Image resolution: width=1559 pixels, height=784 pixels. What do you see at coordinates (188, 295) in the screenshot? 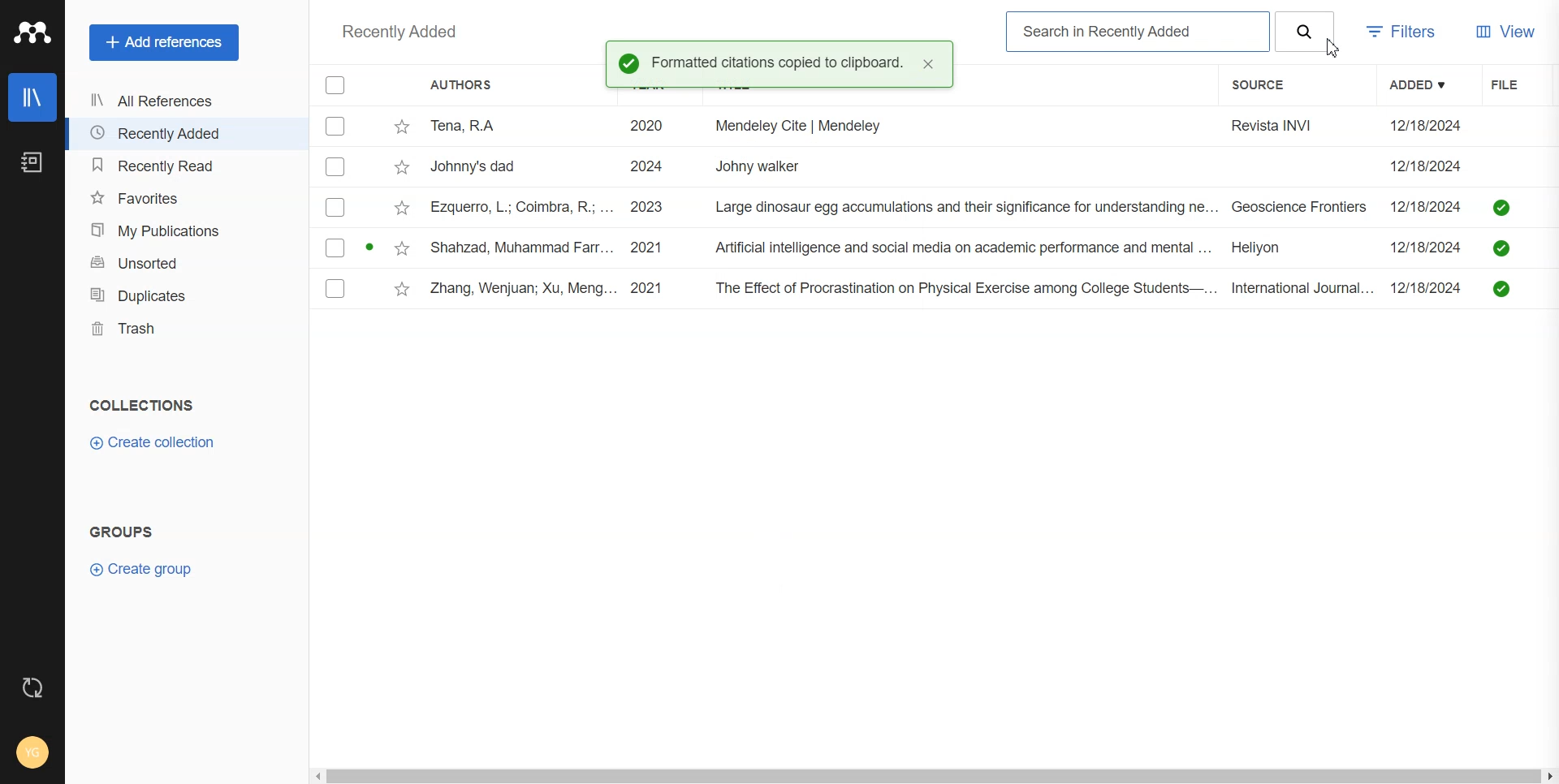
I see `Duplicates` at bounding box center [188, 295].